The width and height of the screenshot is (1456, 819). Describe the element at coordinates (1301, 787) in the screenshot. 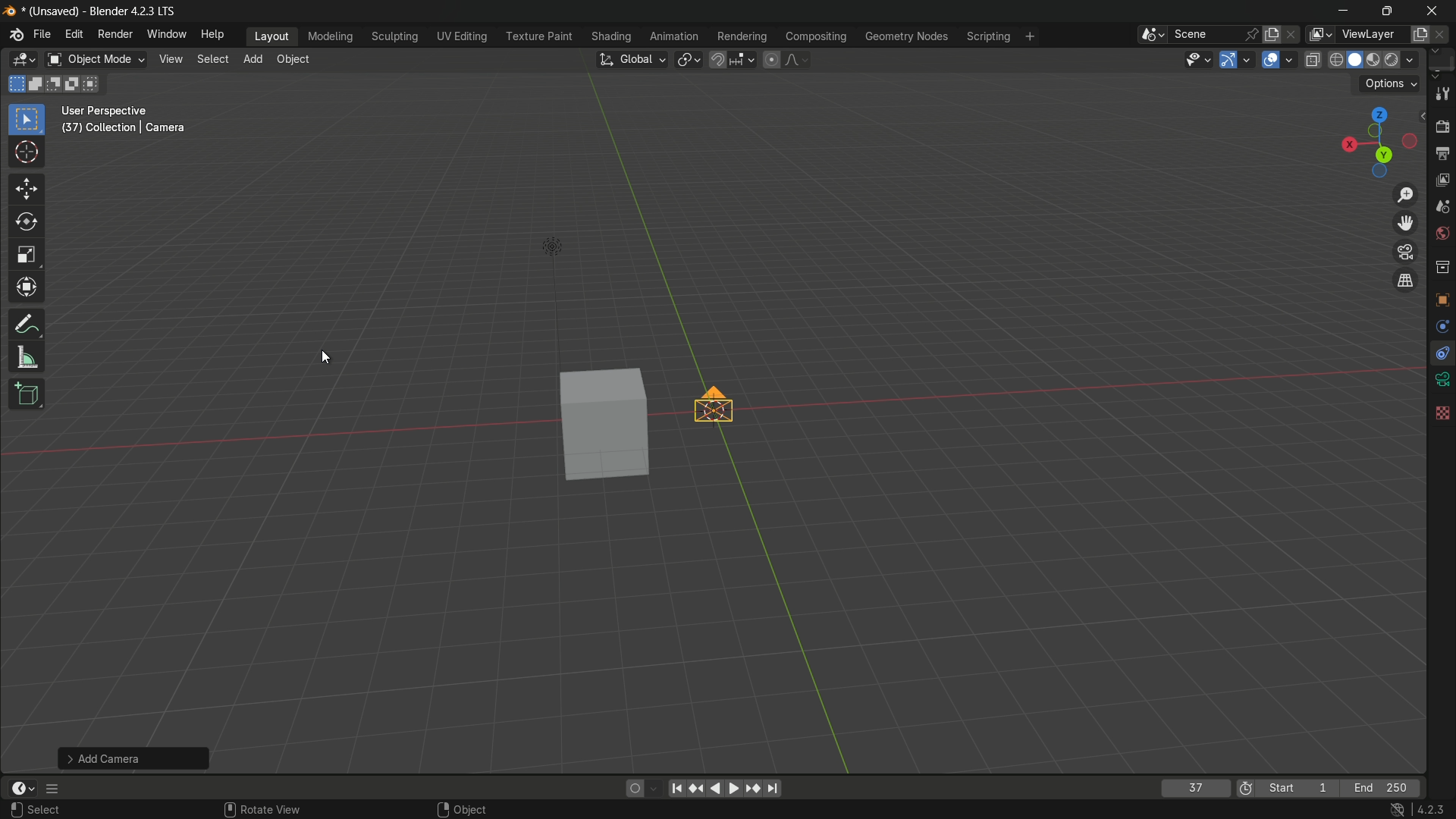

I see `first frame of the playback ` at that location.